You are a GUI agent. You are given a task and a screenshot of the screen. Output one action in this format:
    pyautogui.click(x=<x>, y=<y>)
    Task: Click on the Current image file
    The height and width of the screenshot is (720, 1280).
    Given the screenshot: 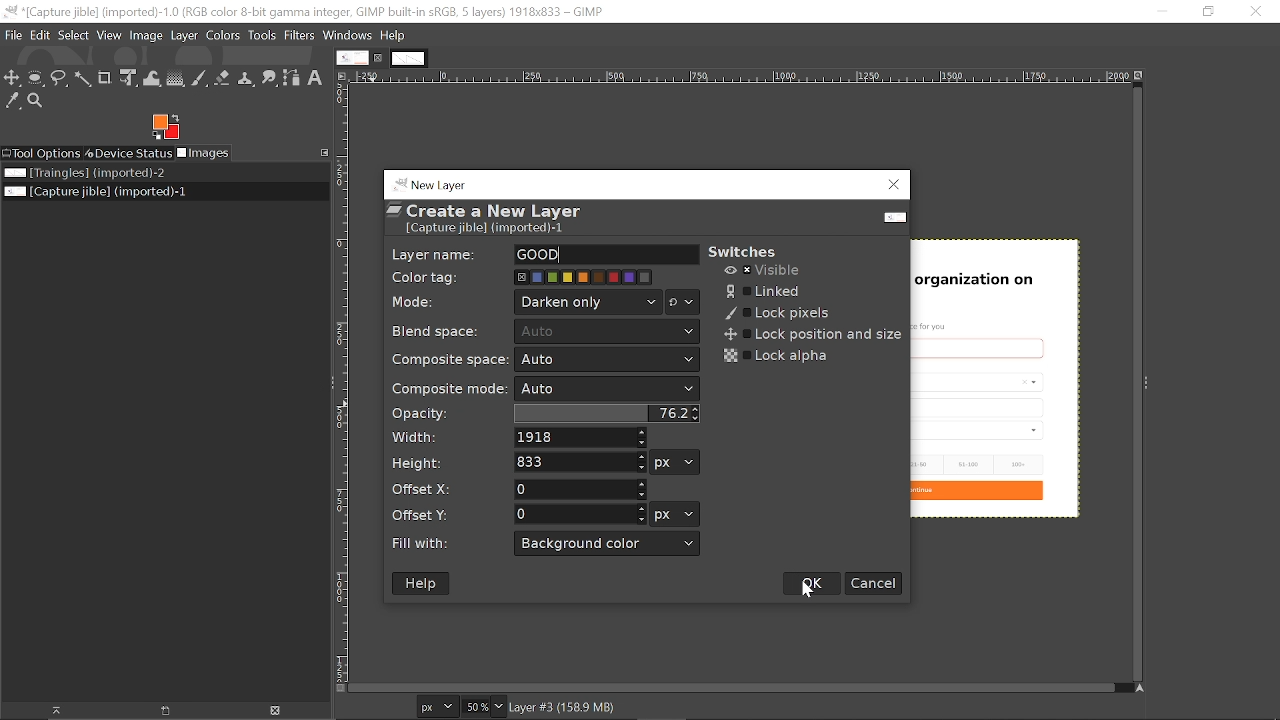 What is the action you would take?
    pyautogui.click(x=94, y=193)
    